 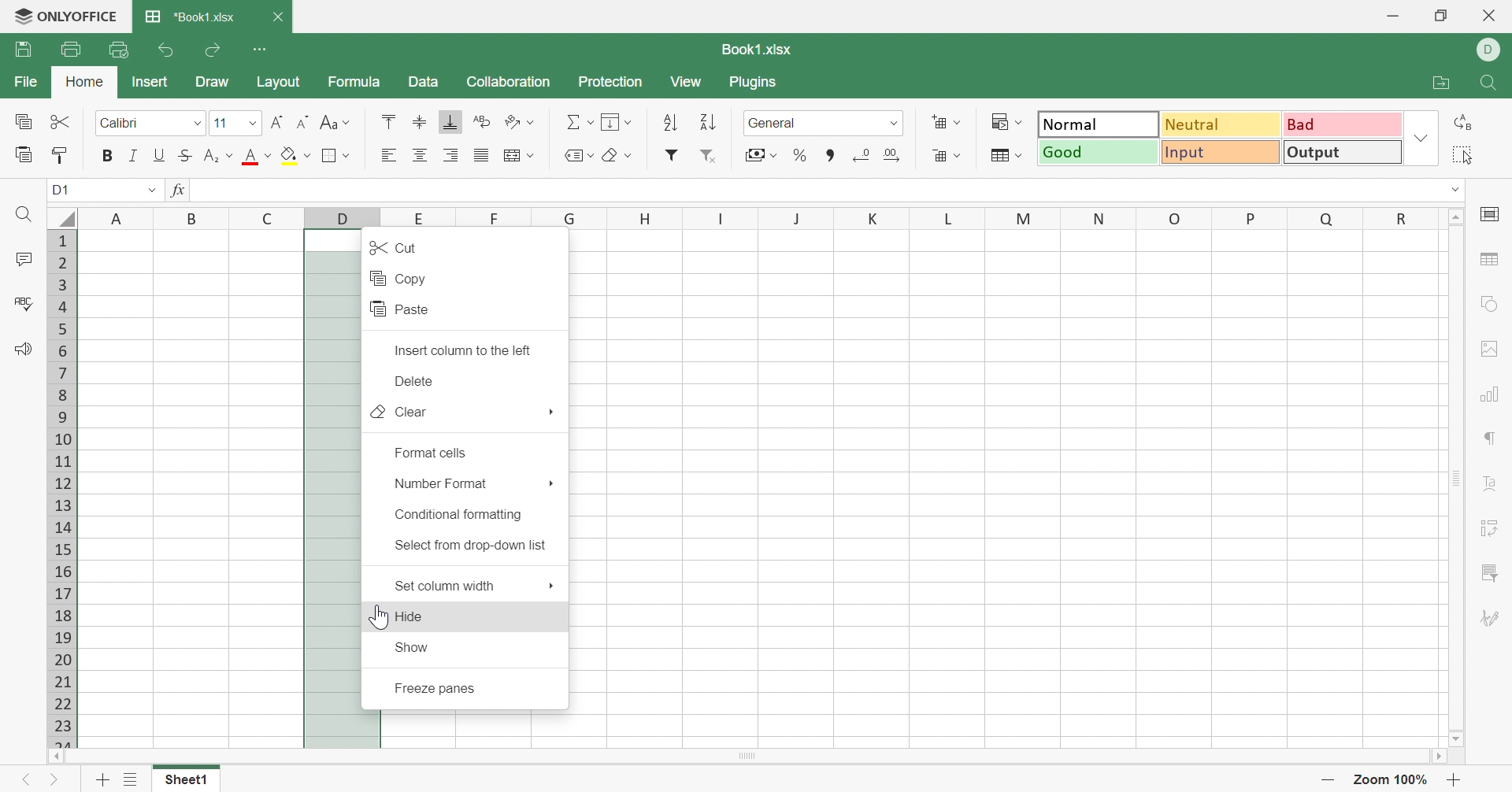 I want to click on Wrap Text, so click(x=481, y=121).